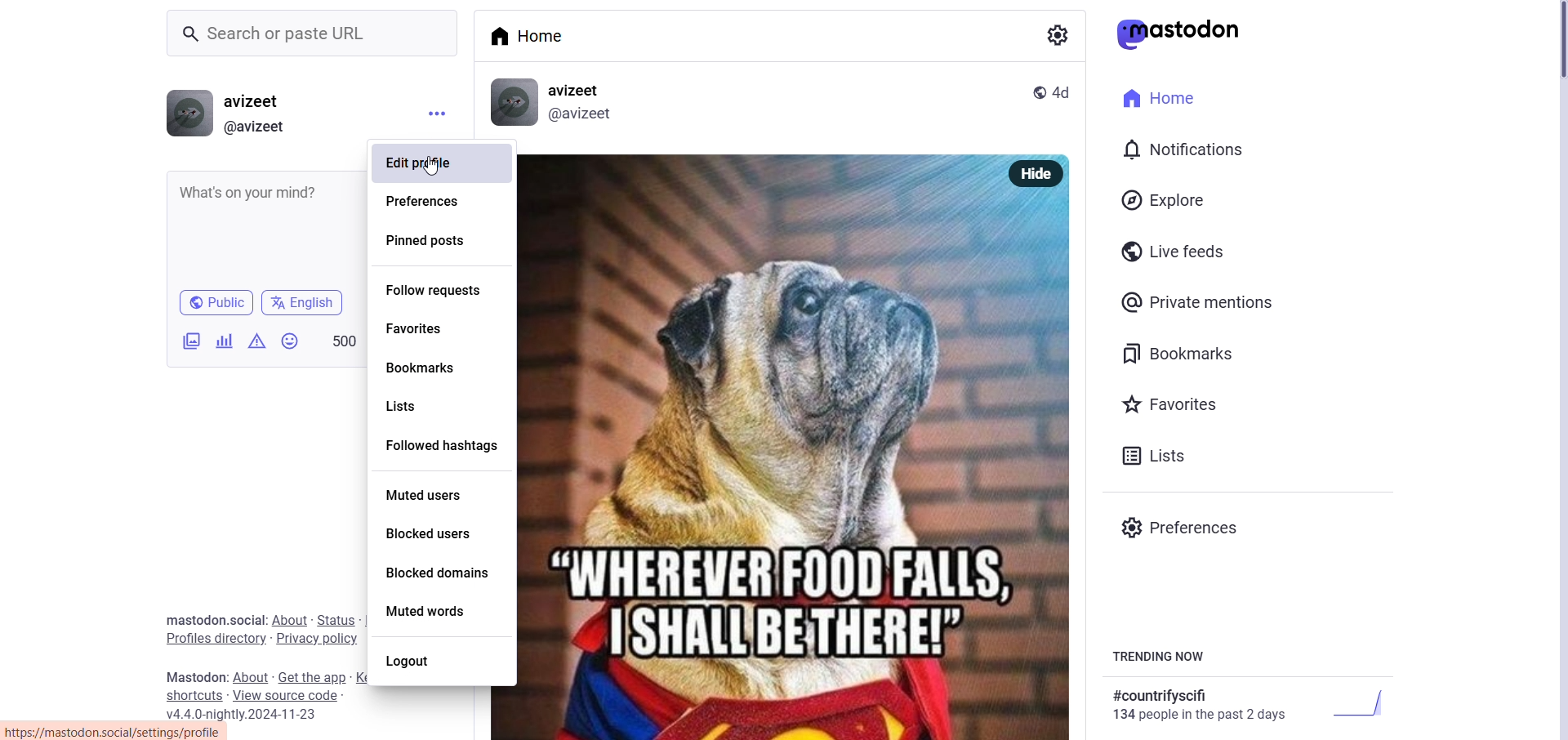 This screenshot has height=740, width=1568. What do you see at coordinates (1166, 199) in the screenshot?
I see `explore` at bounding box center [1166, 199].